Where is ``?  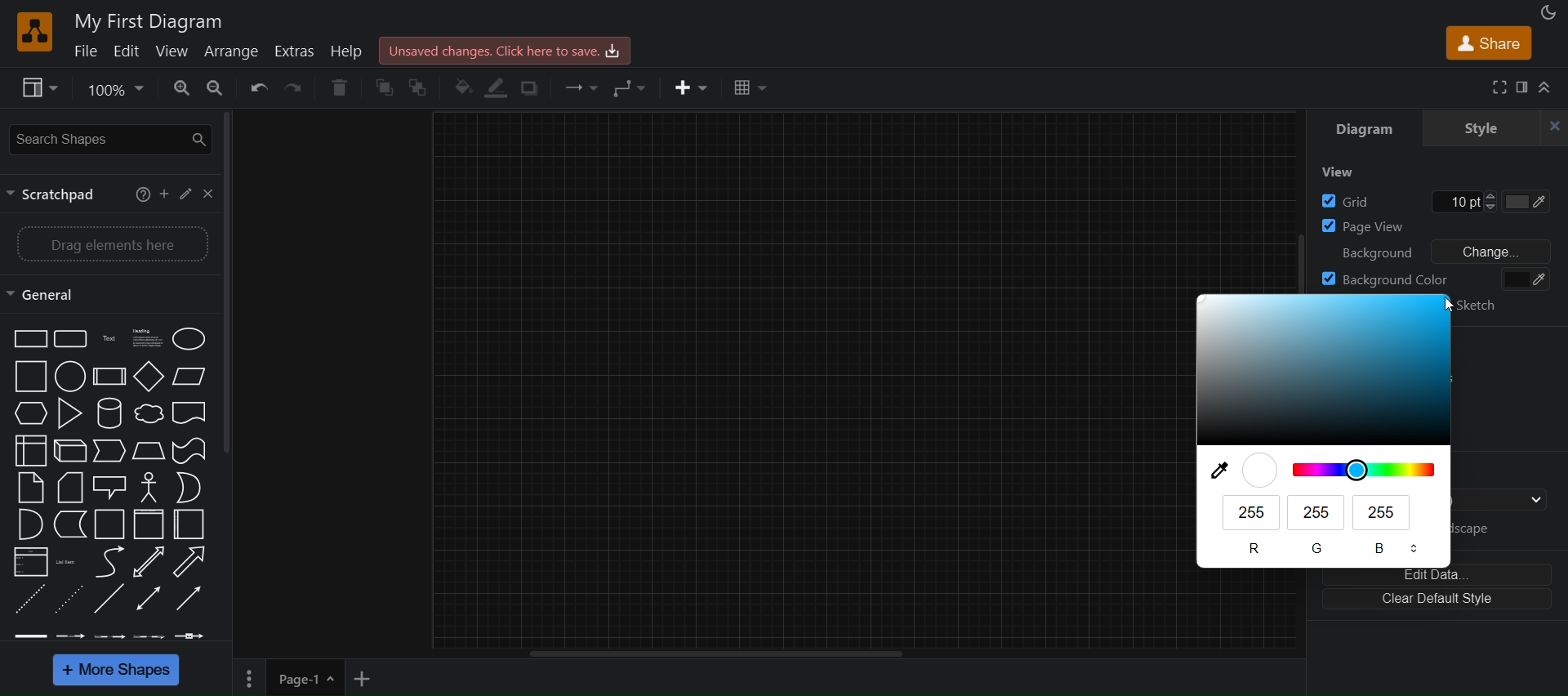
 is located at coordinates (347, 53).